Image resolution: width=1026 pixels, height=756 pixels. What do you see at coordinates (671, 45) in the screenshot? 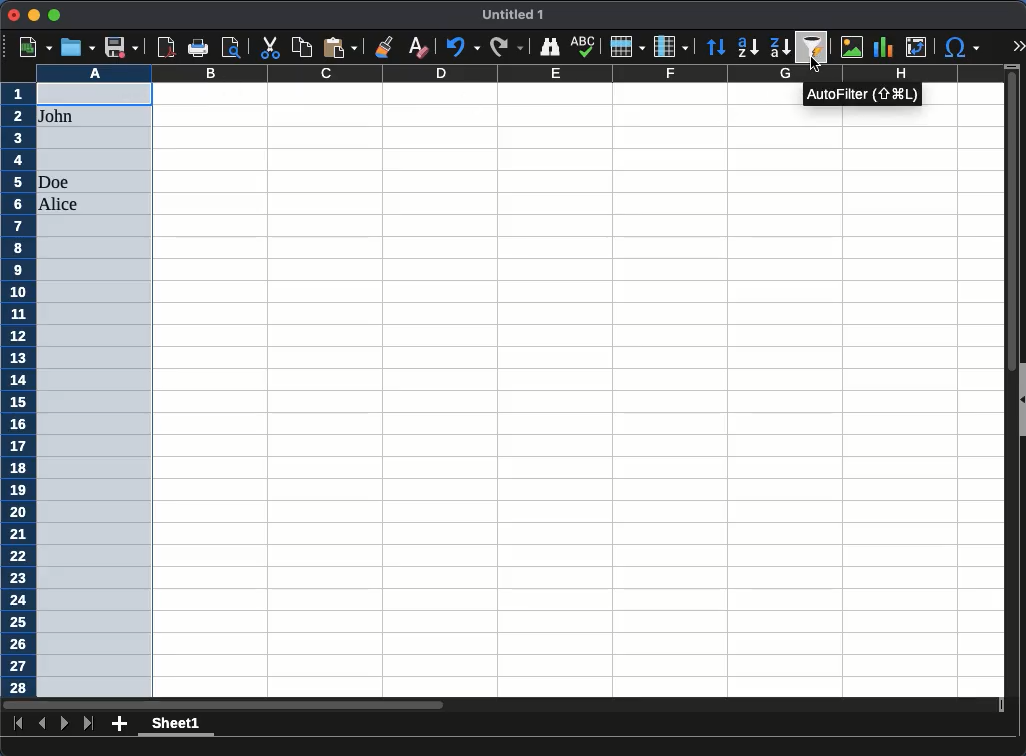
I see `column` at bounding box center [671, 45].